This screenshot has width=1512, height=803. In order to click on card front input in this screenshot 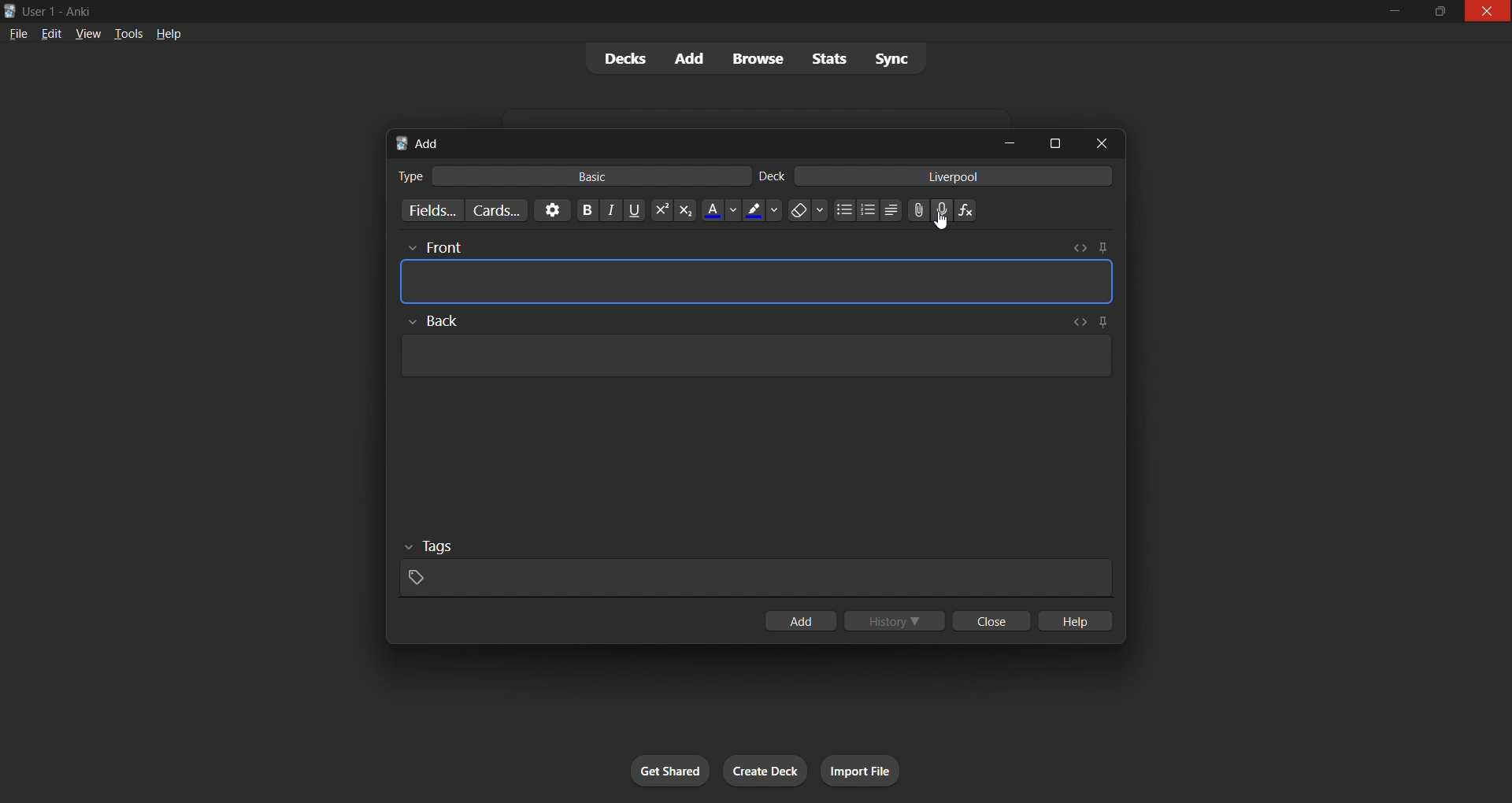, I will do `click(757, 269)`.